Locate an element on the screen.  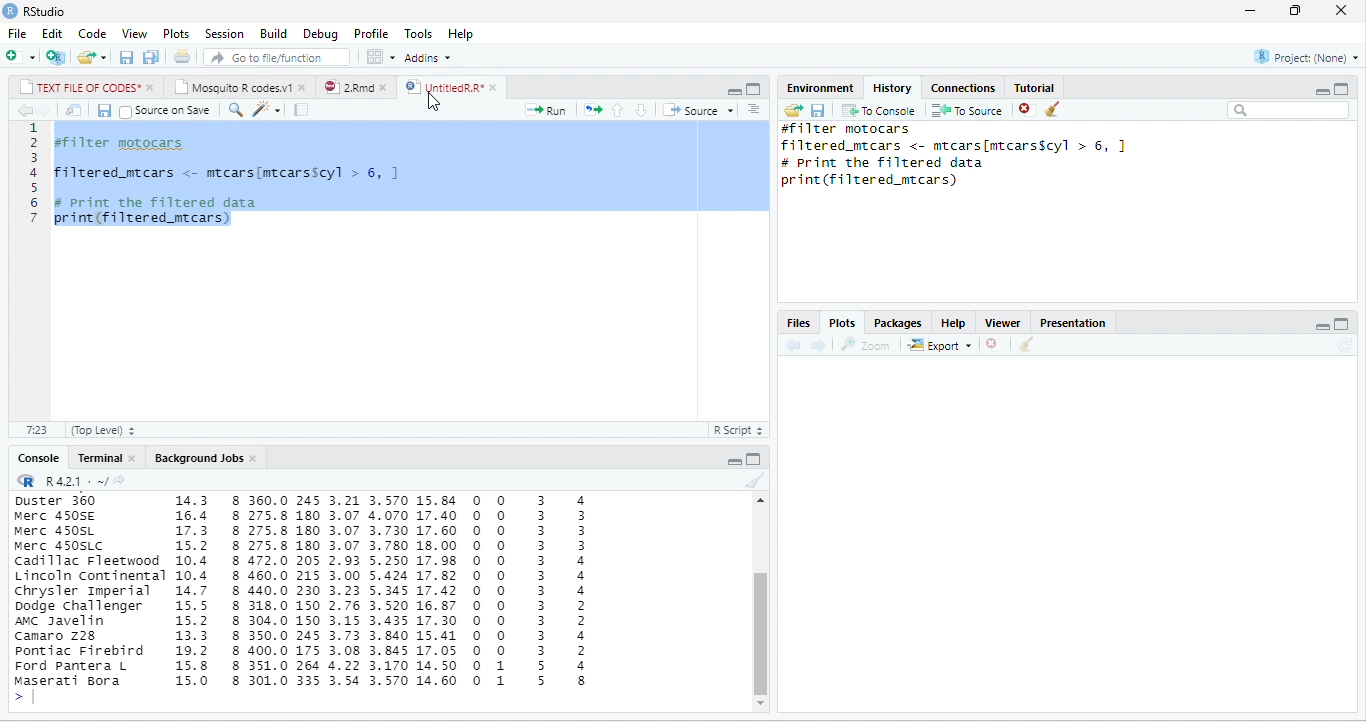
3.570  4.070  3.730  3.780  5.250  5.424  5.345  3.520  3.435  3.840  3.845  3.170  3.570 is located at coordinates (388, 591).